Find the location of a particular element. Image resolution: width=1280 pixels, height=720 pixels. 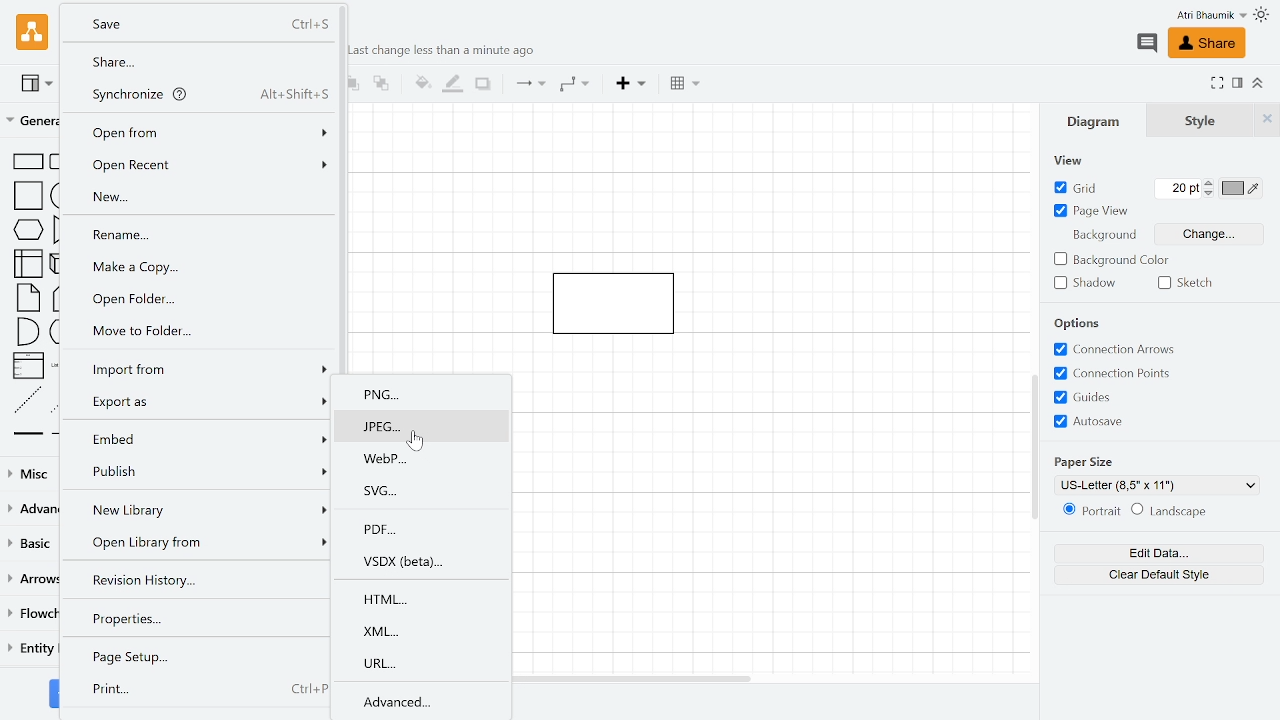

Open library form is located at coordinates (200, 544).